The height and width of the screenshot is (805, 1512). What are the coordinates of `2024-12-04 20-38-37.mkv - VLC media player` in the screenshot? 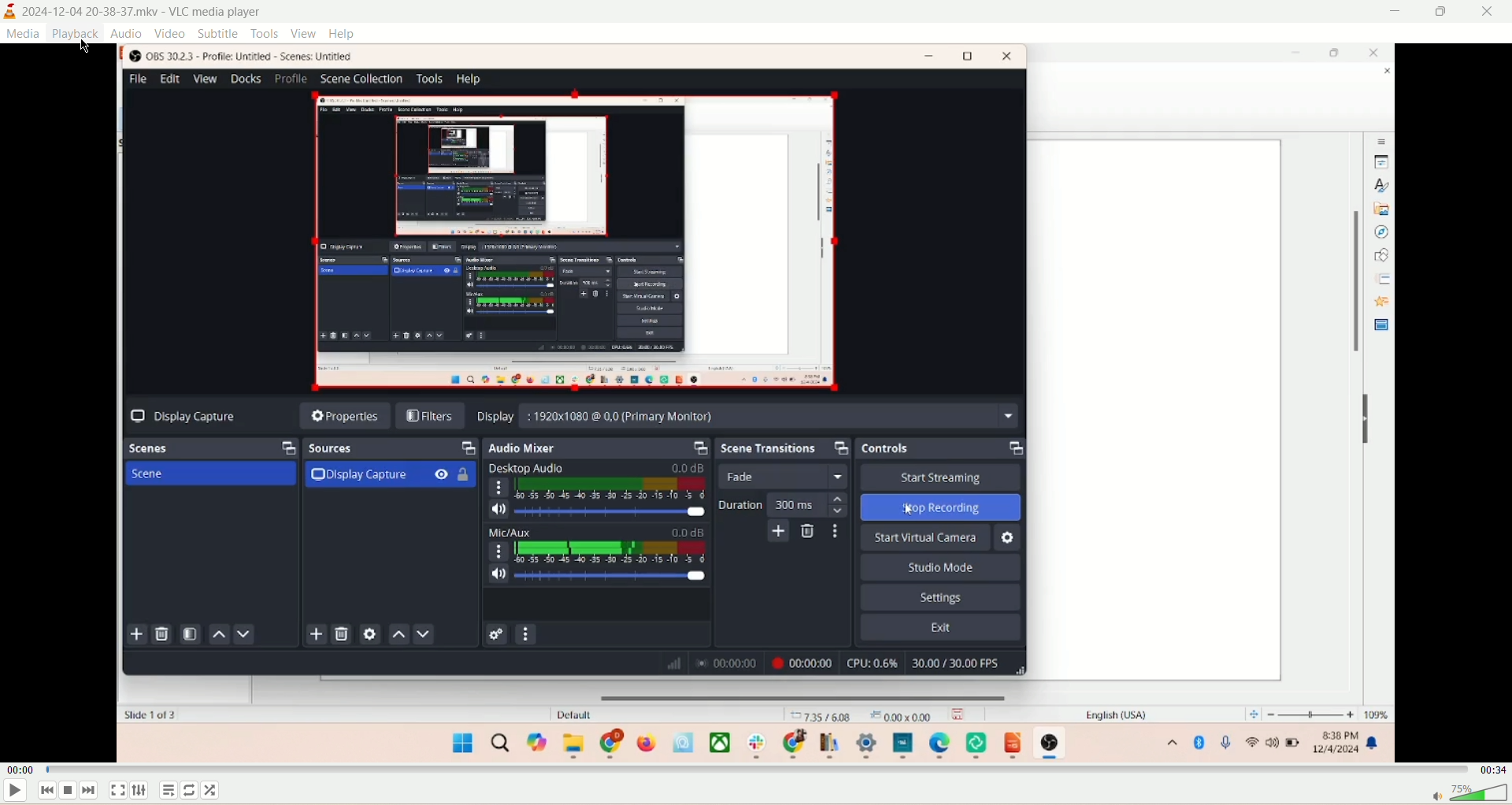 It's located at (153, 13).